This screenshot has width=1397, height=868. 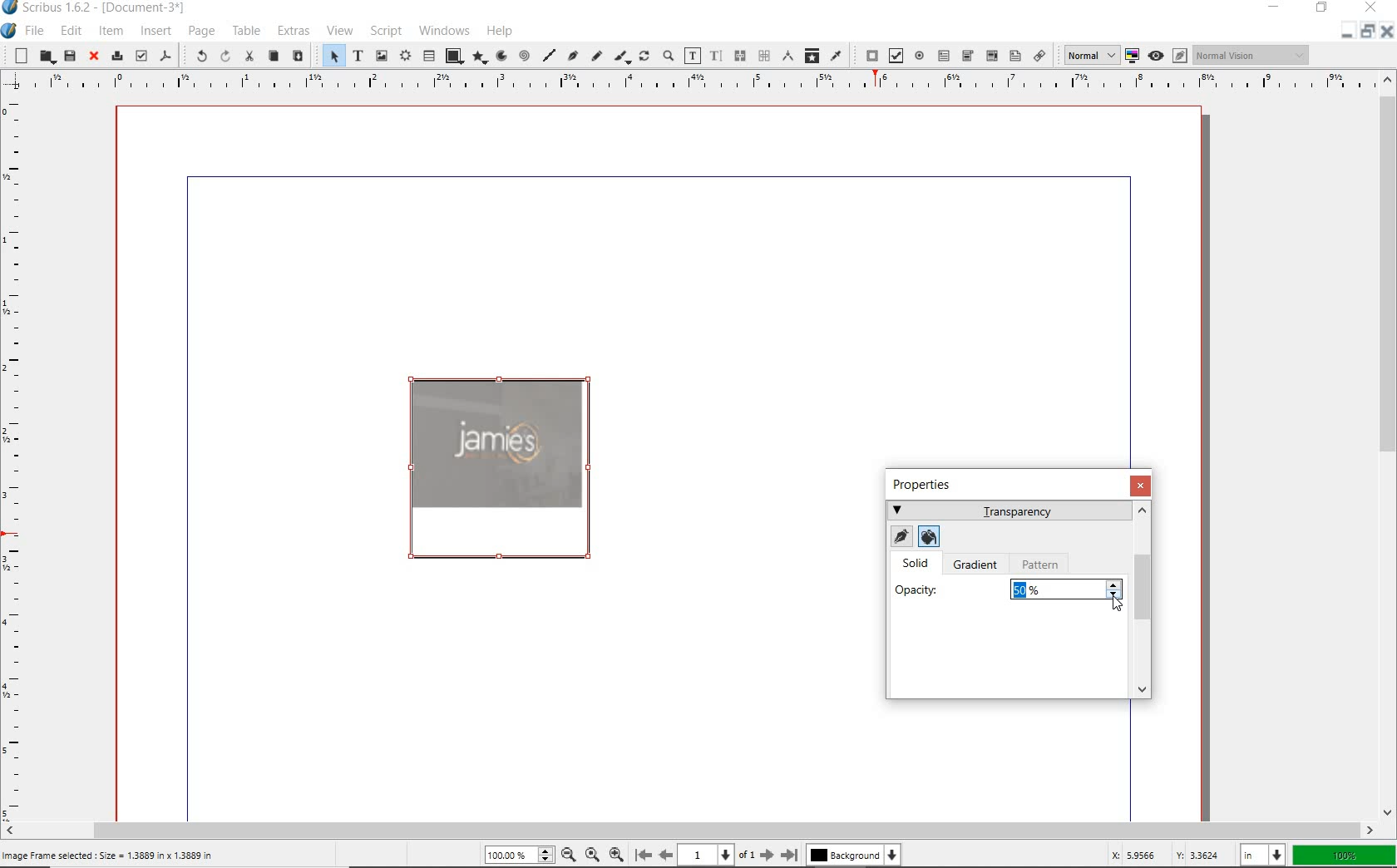 What do you see at coordinates (224, 58) in the screenshot?
I see `REDO` at bounding box center [224, 58].